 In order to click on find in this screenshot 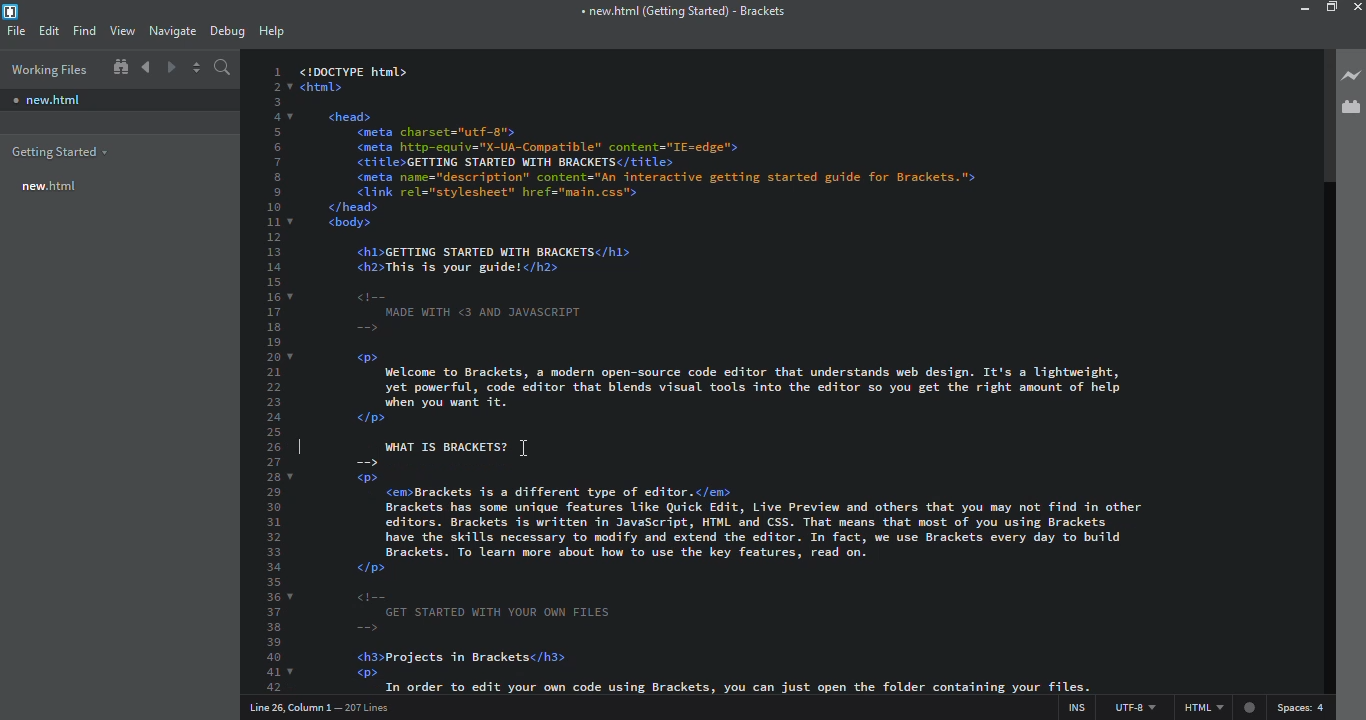, I will do `click(84, 31)`.